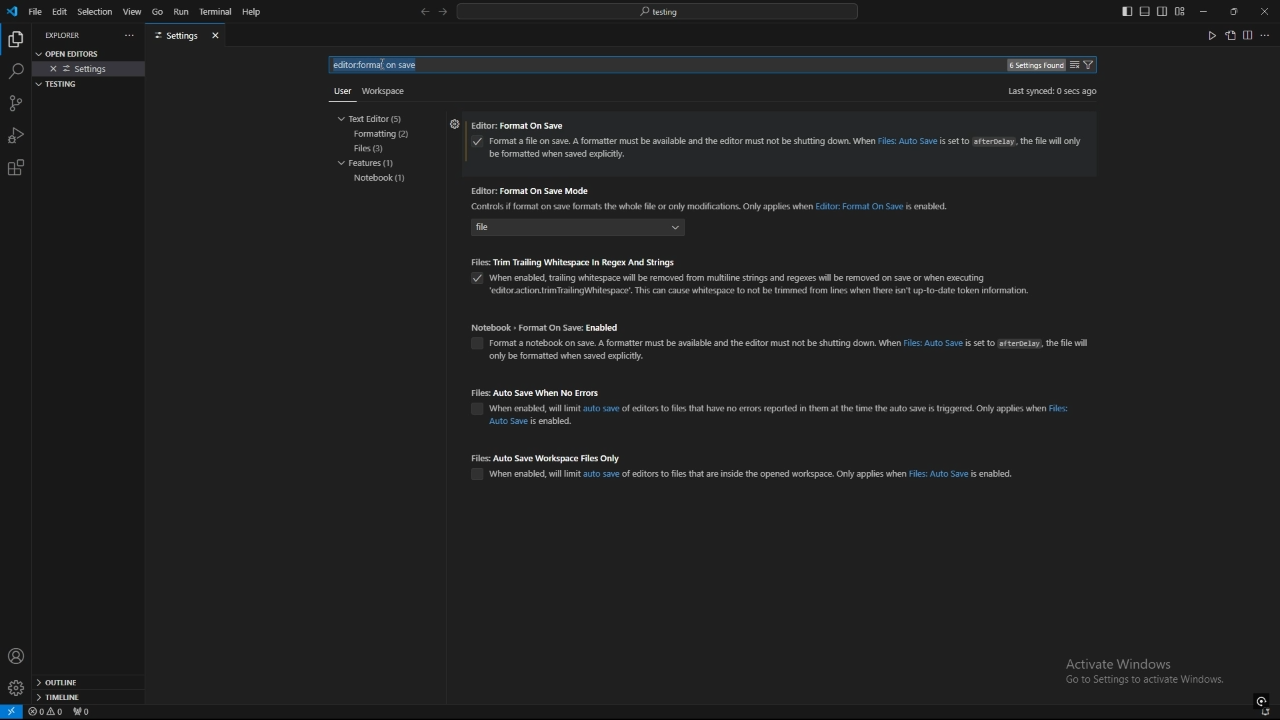  Describe the element at coordinates (35, 11) in the screenshot. I see `file` at that location.